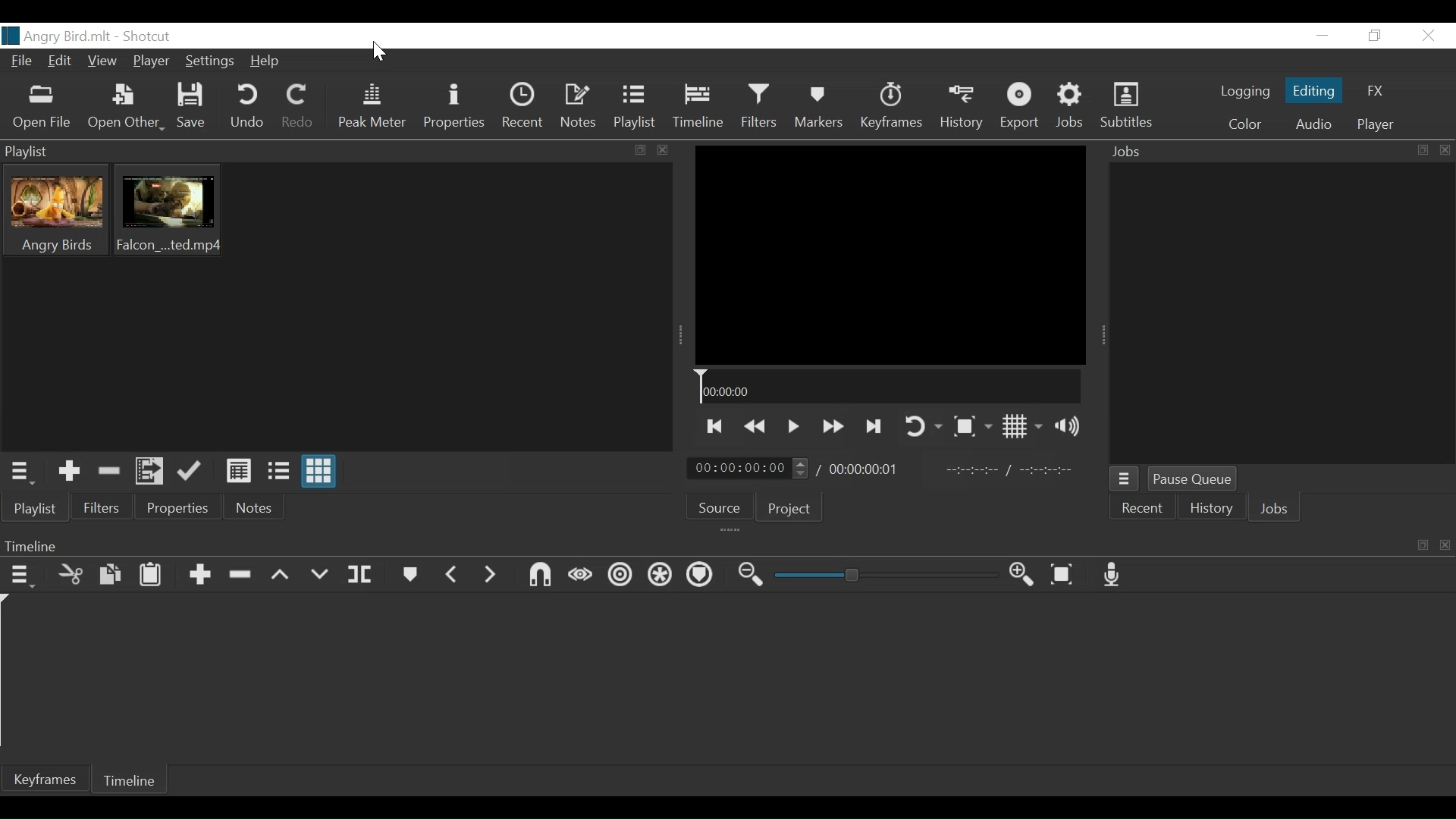  What do you see at coordinates (1067, 575) in the screenshot?
I see `Zoom timeline to fit` at bounding box center [1067, 575].